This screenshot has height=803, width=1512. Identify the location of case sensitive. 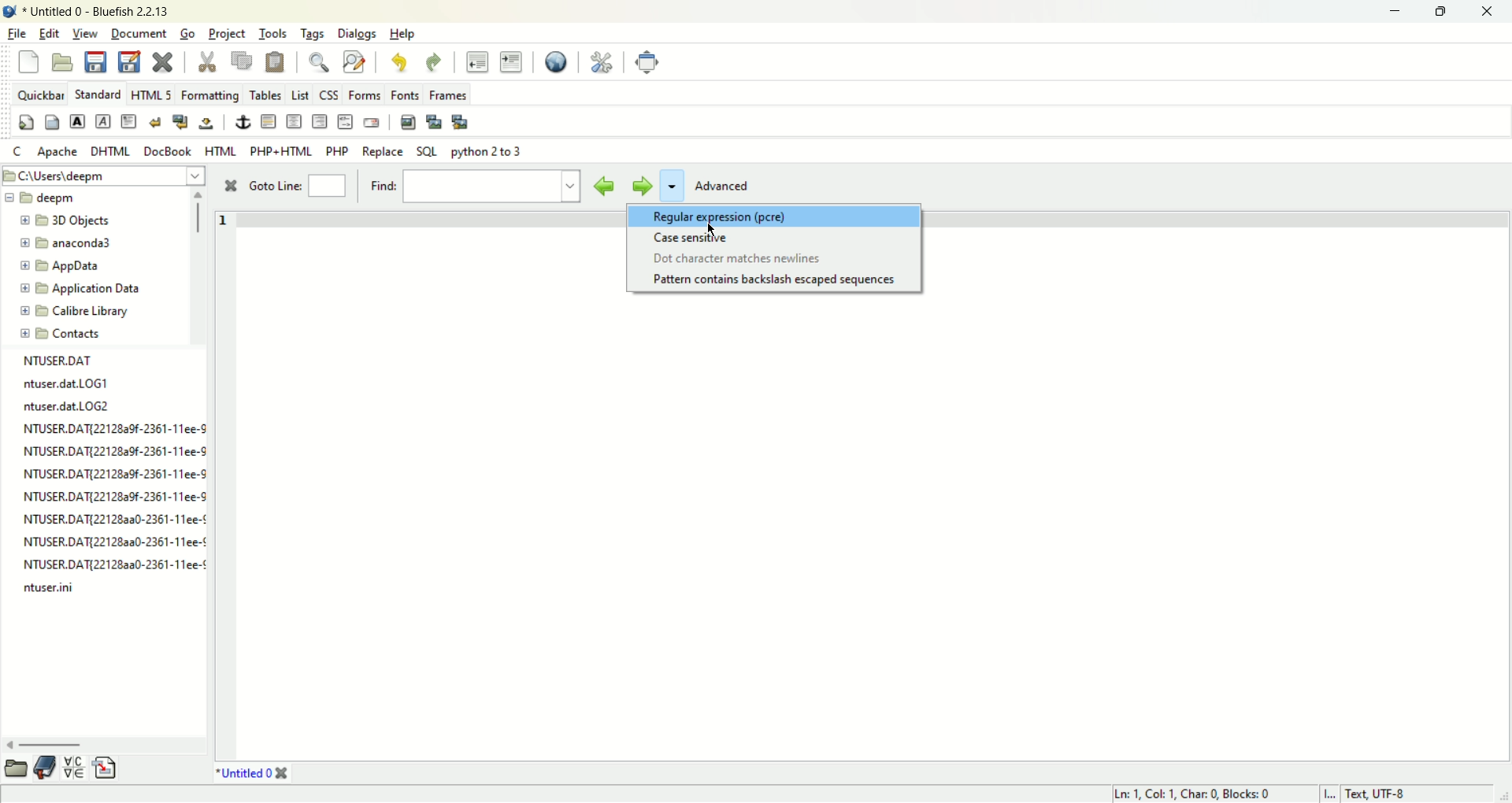
(692, 238).